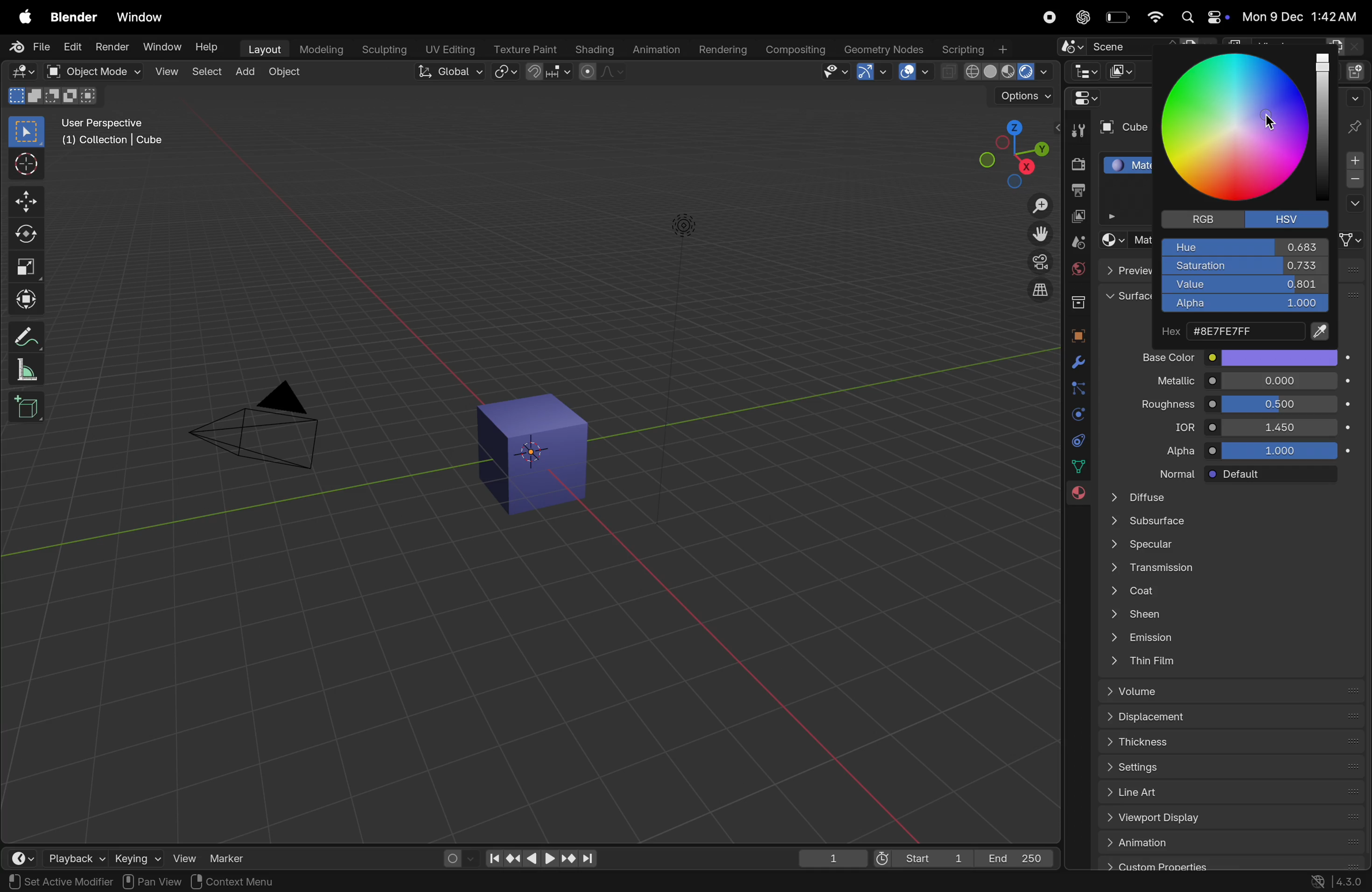 This screenshot has width=1372, height=892. I want to click on select box, so click(26, 132).